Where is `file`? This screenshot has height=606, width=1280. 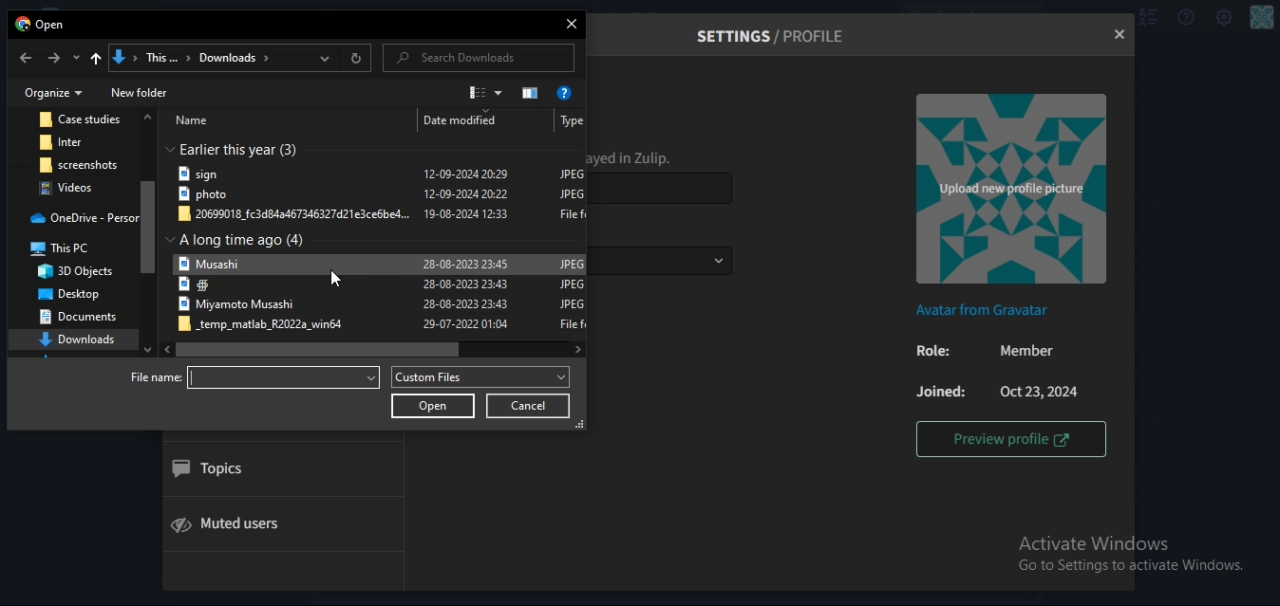
file is located at coordinates (383, 306).